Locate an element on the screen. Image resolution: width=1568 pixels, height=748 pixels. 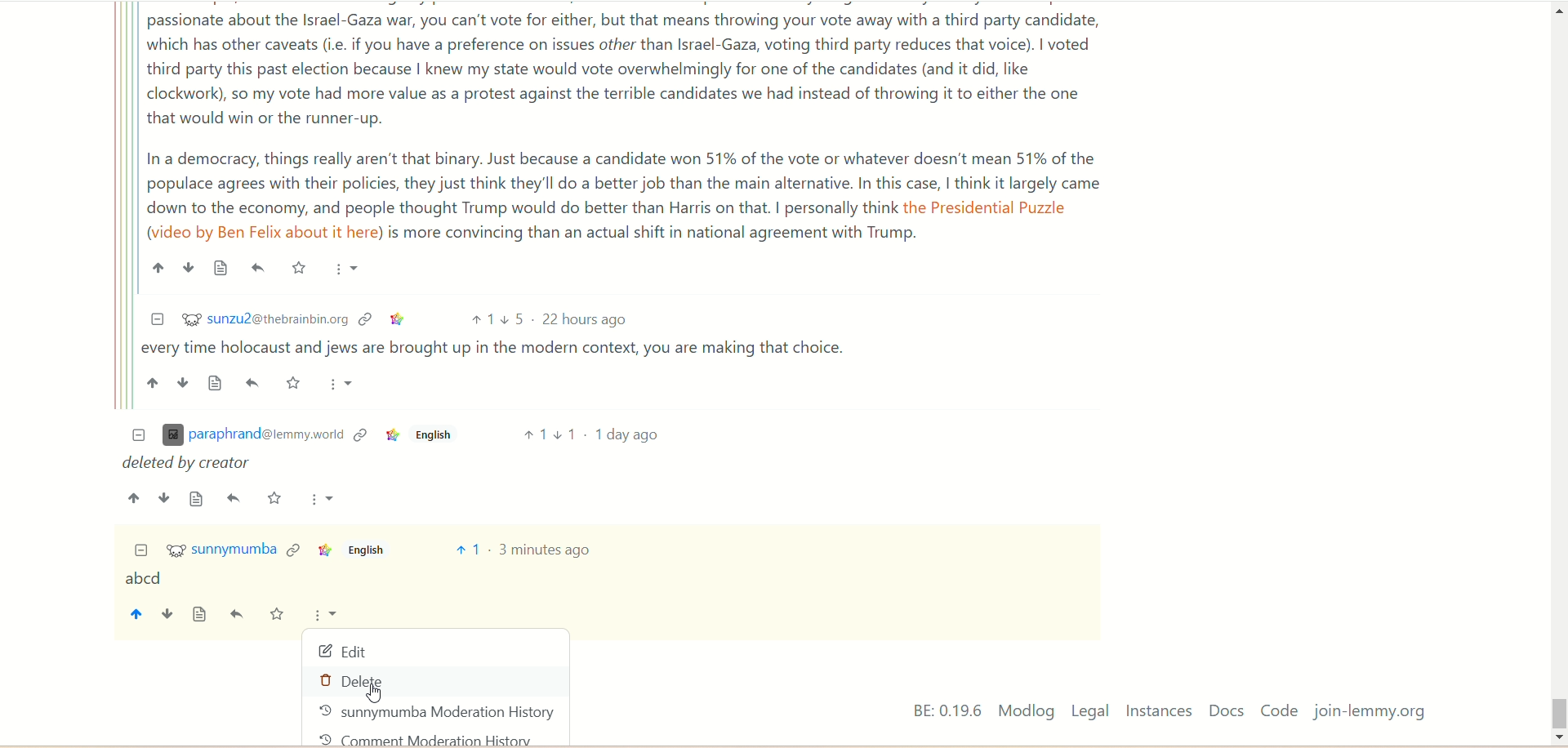
$2 sunzu2@thebrainbin.org is located at coordinates (265, 318).